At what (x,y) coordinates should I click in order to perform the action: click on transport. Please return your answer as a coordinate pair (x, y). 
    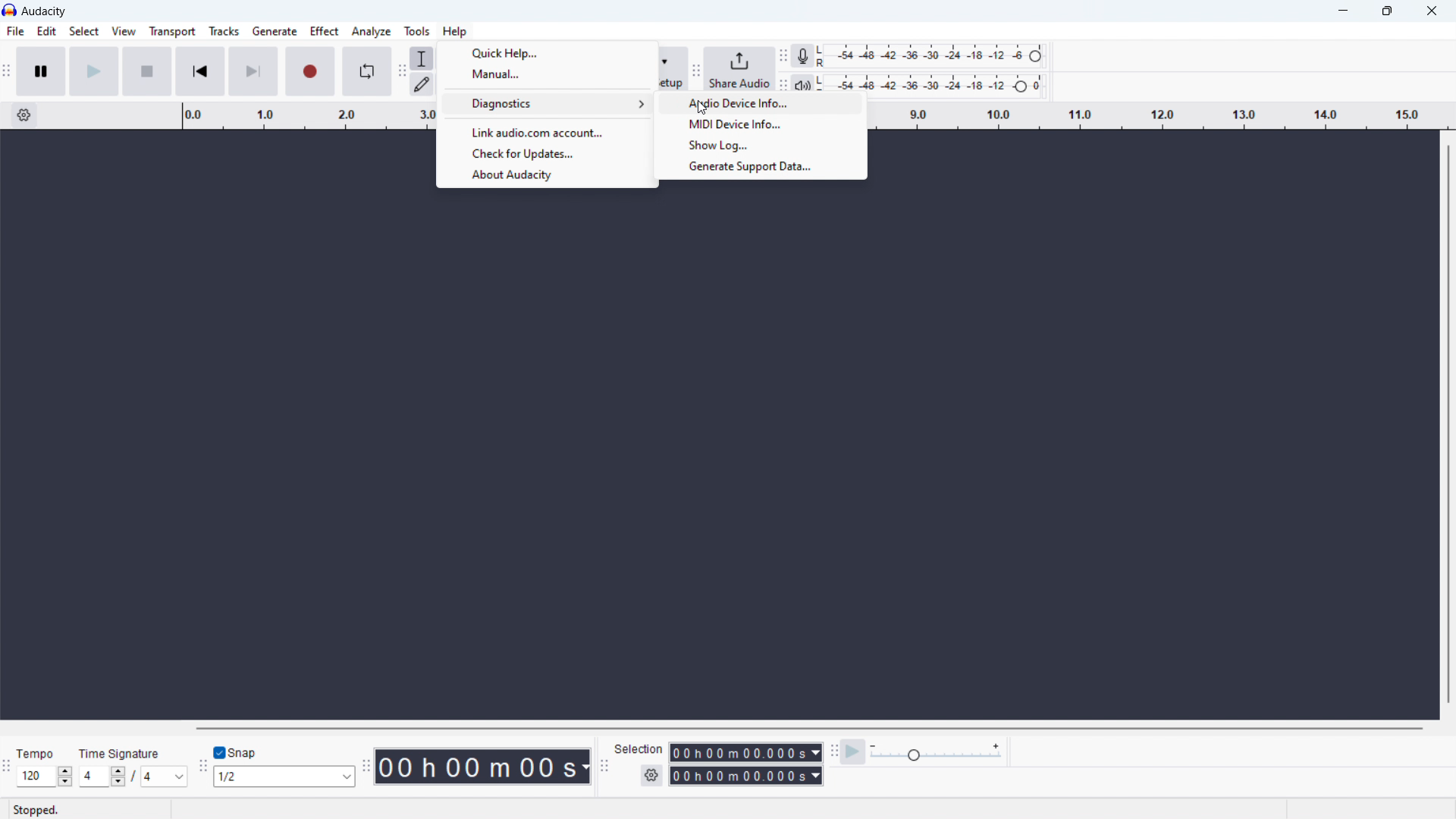
    Looking at the image, I should click on (172, 31).